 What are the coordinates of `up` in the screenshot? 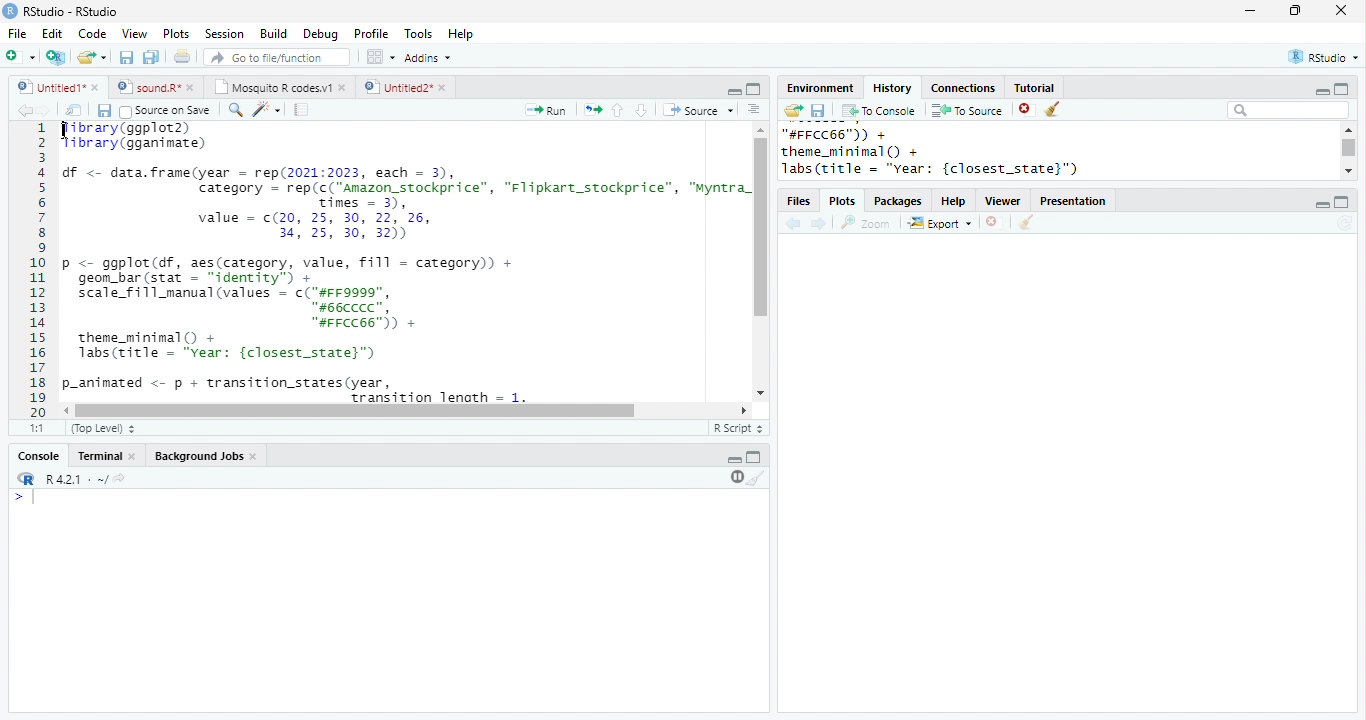 It's located at (618, 111).